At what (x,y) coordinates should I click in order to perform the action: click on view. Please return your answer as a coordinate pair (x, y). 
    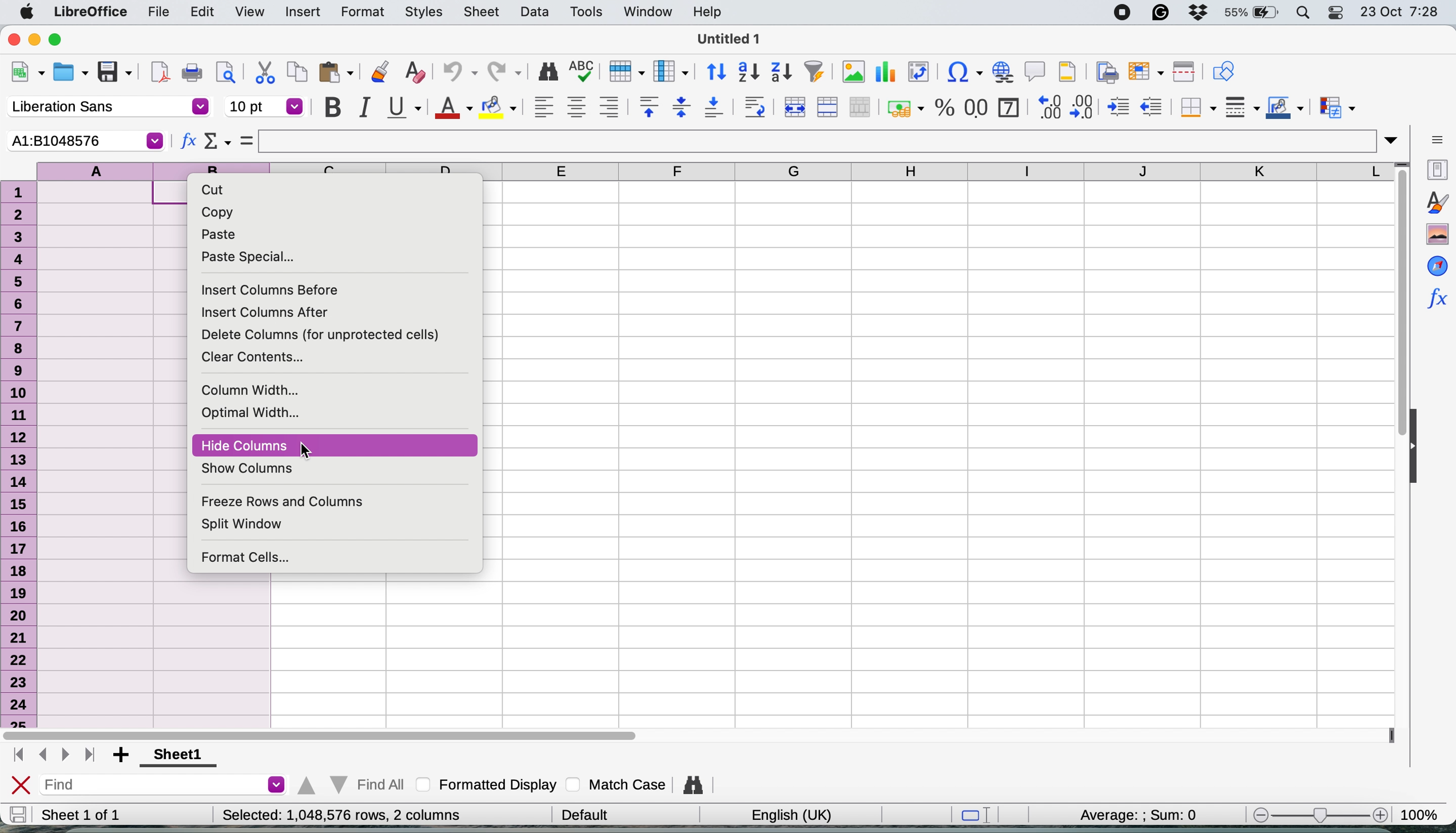
    Looking at the image, I should click on (249, 13).